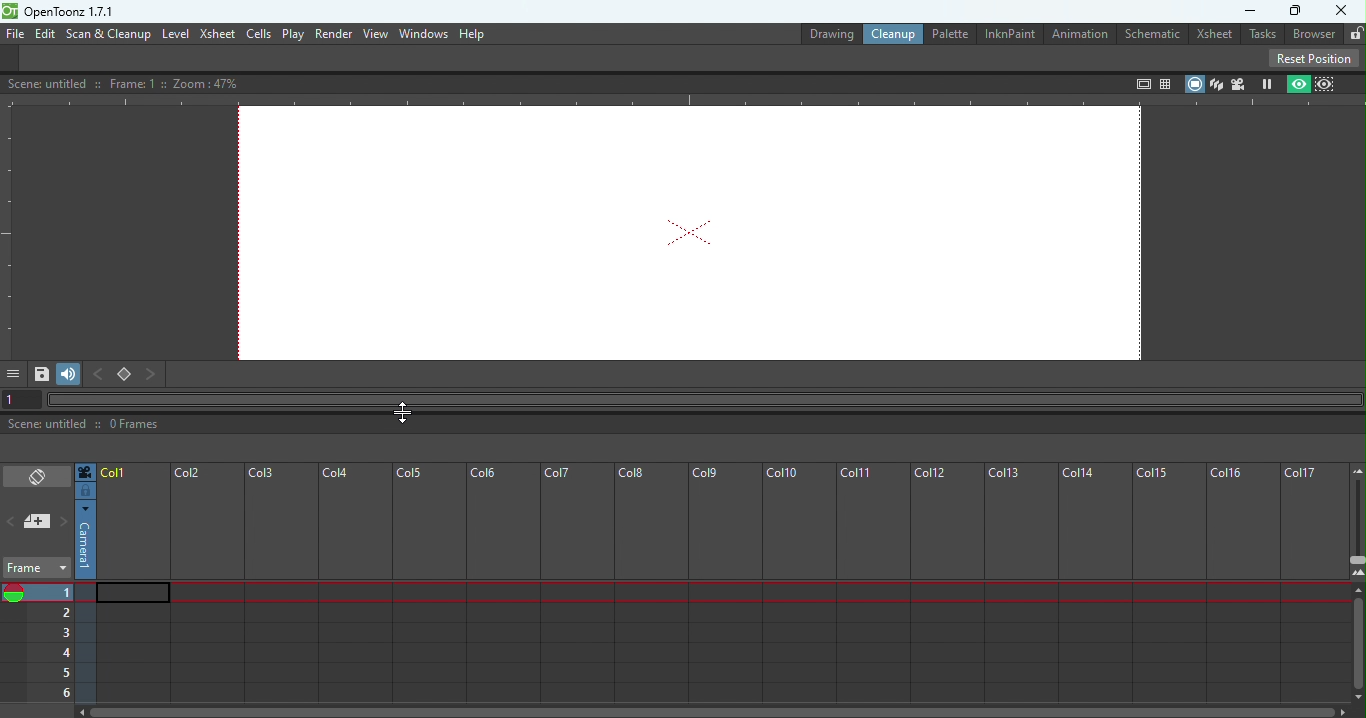 The height and width of the screenshot is (718, 1366). I want to click on Play, so click(293, 34).